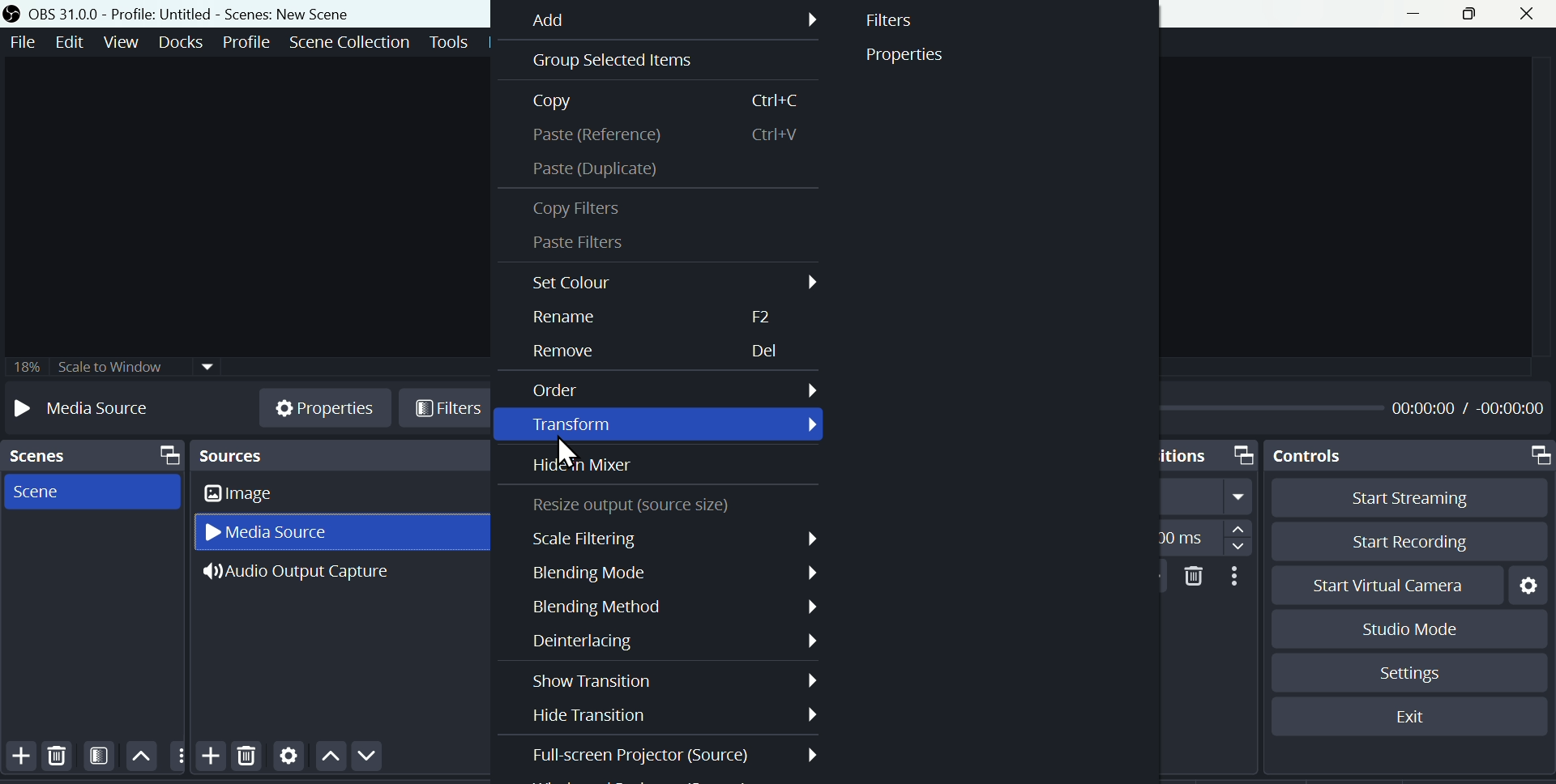 Image resolution: width=1556 pixels, height=784 pixels. What do you see at coordinates (100, 760) in the screenshot?
I see `Filtering` at bounding box center [100, 760].